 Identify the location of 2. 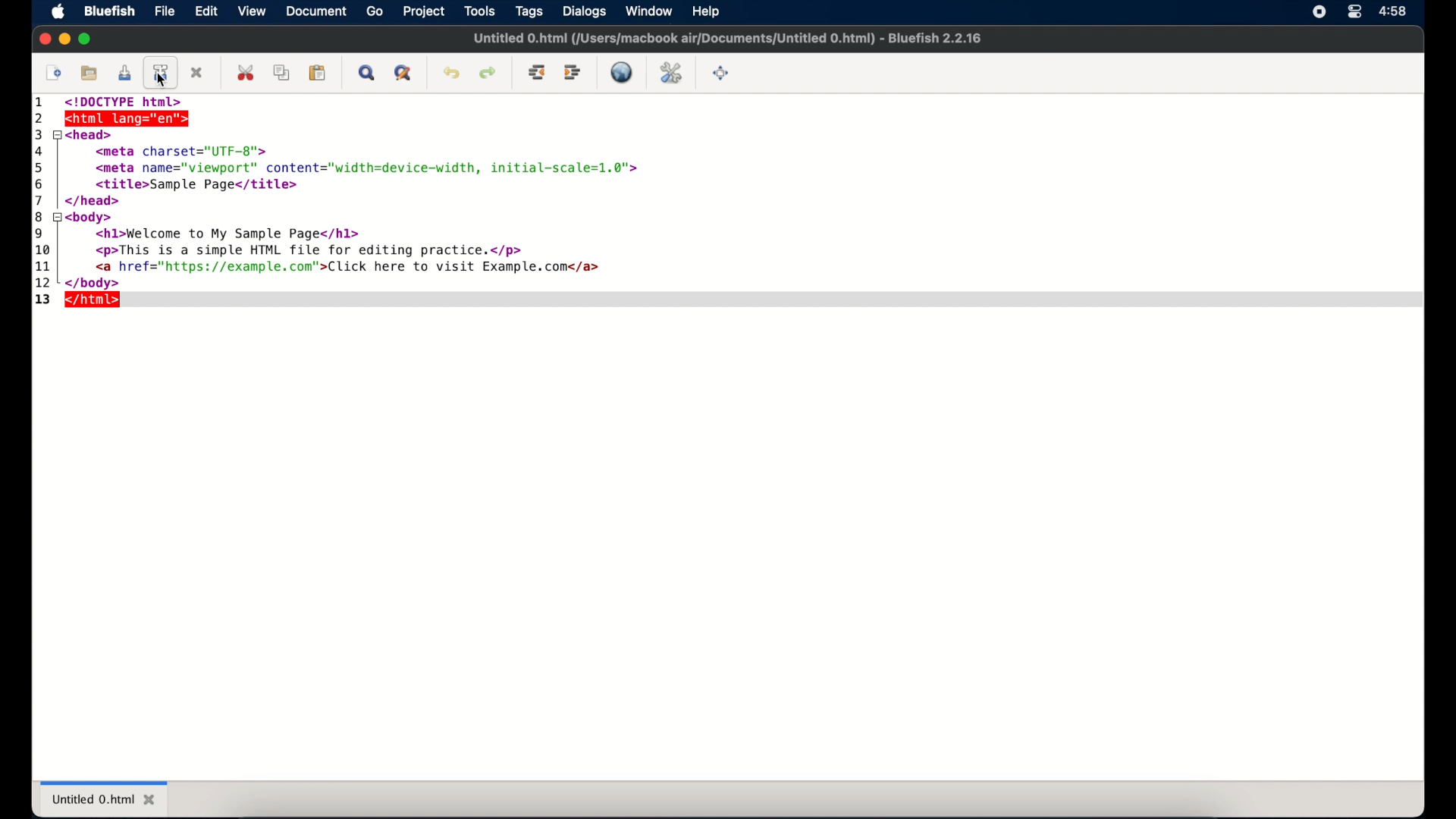
(40, 118).